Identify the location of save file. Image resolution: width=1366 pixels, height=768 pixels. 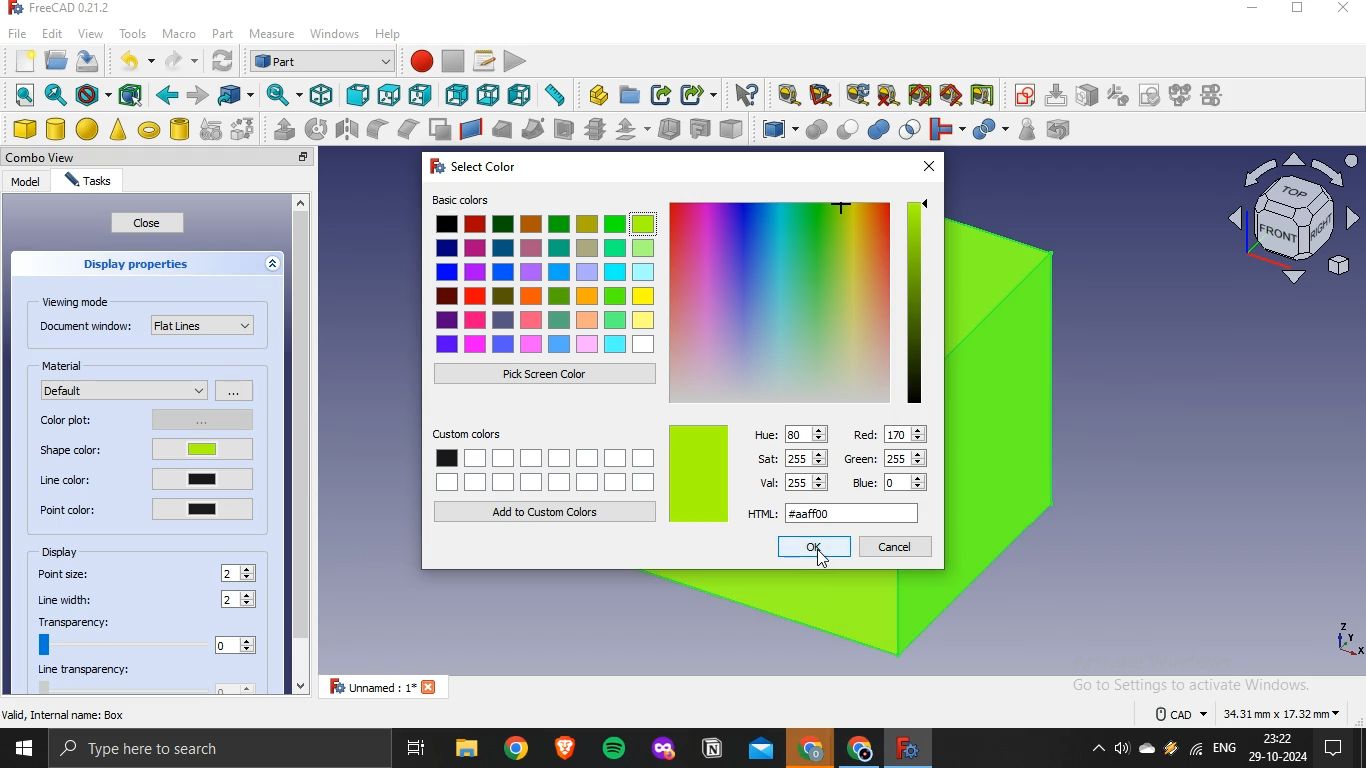
(88, 61).